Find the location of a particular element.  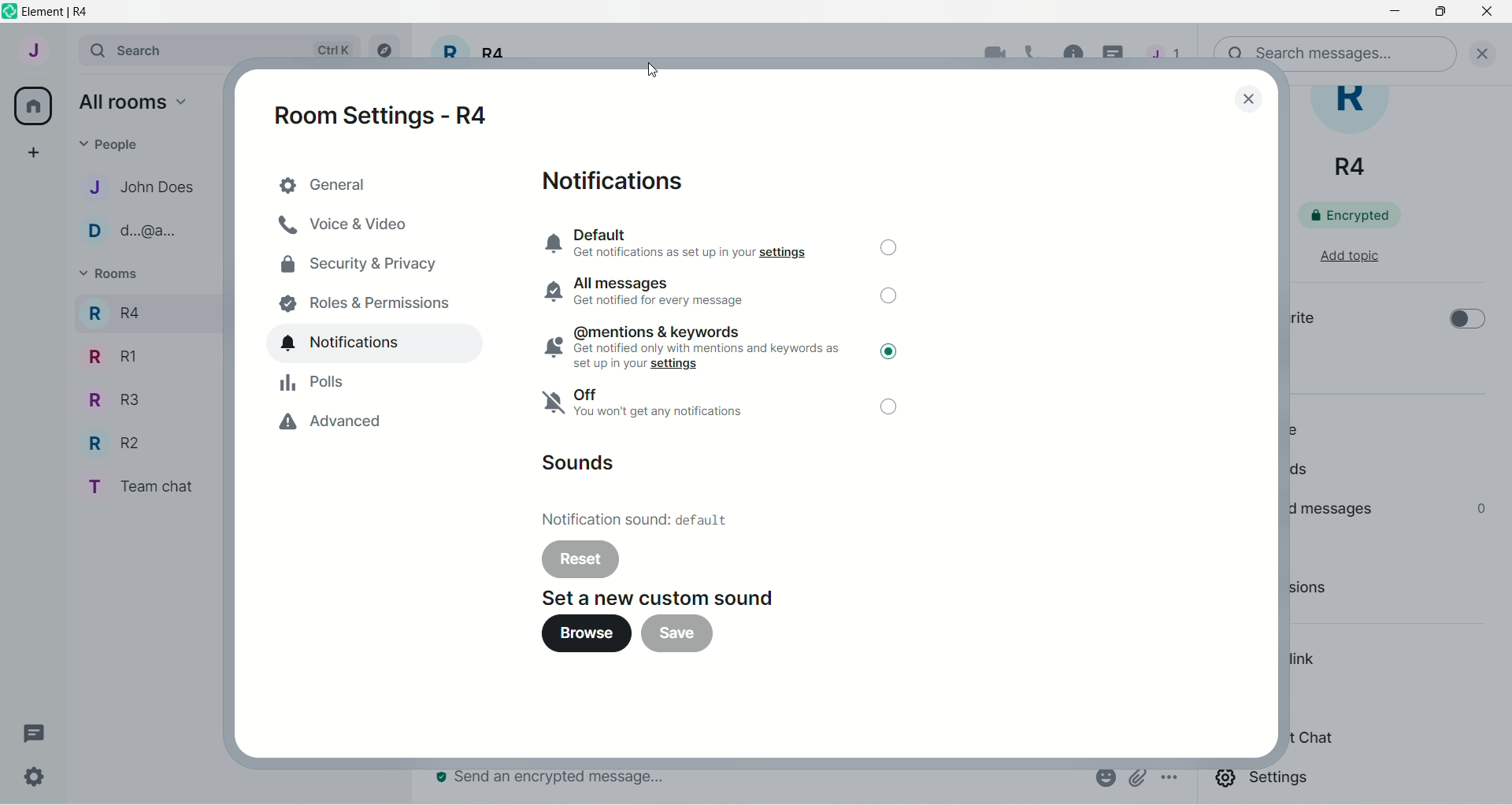

people is located at coordinates (1298, 429).